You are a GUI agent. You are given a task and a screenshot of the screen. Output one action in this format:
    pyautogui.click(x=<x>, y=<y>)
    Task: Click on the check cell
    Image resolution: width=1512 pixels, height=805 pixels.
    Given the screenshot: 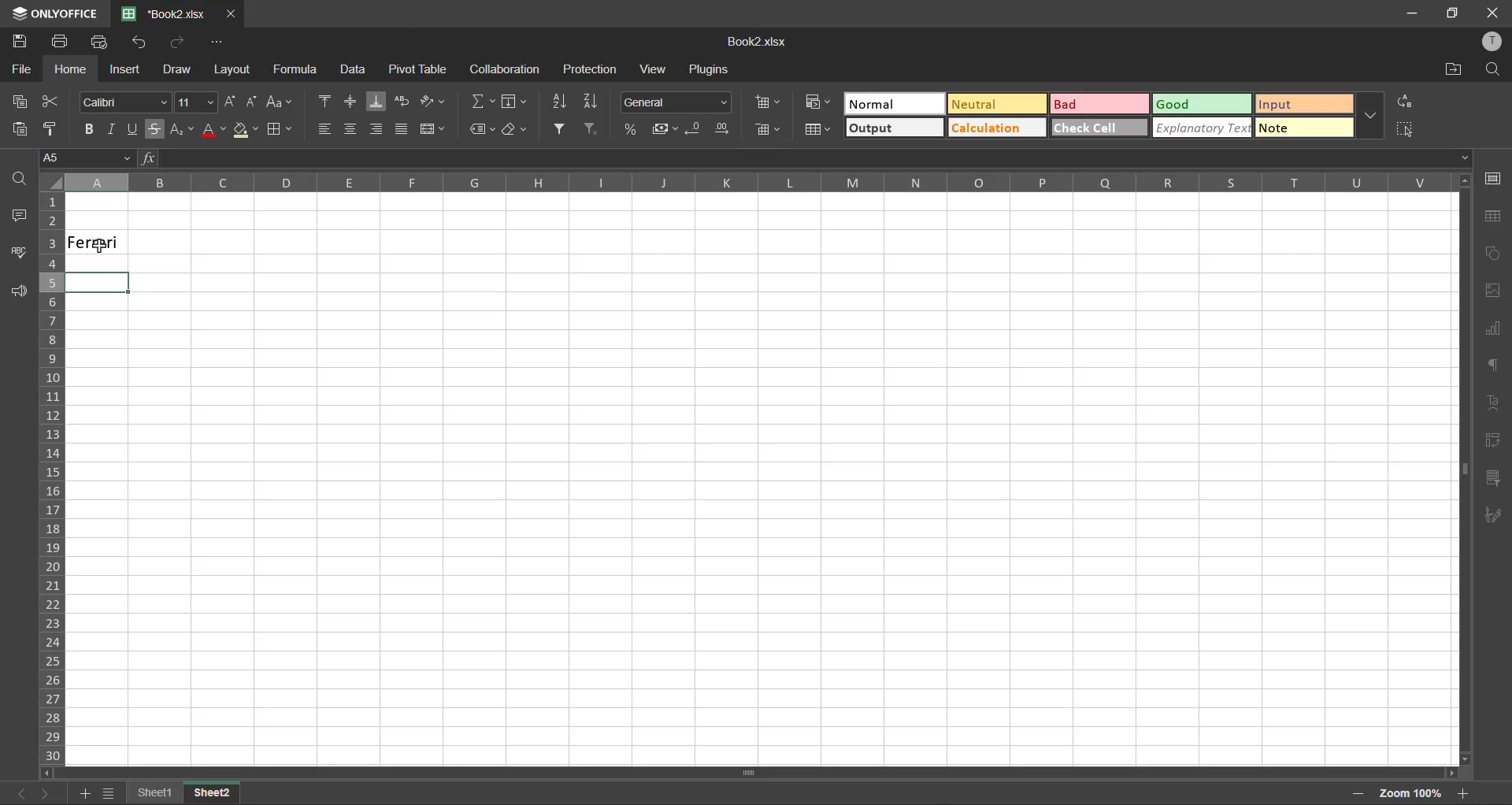 What is the action you would take?
    pyautogui.click(x=1095, y=129)
    